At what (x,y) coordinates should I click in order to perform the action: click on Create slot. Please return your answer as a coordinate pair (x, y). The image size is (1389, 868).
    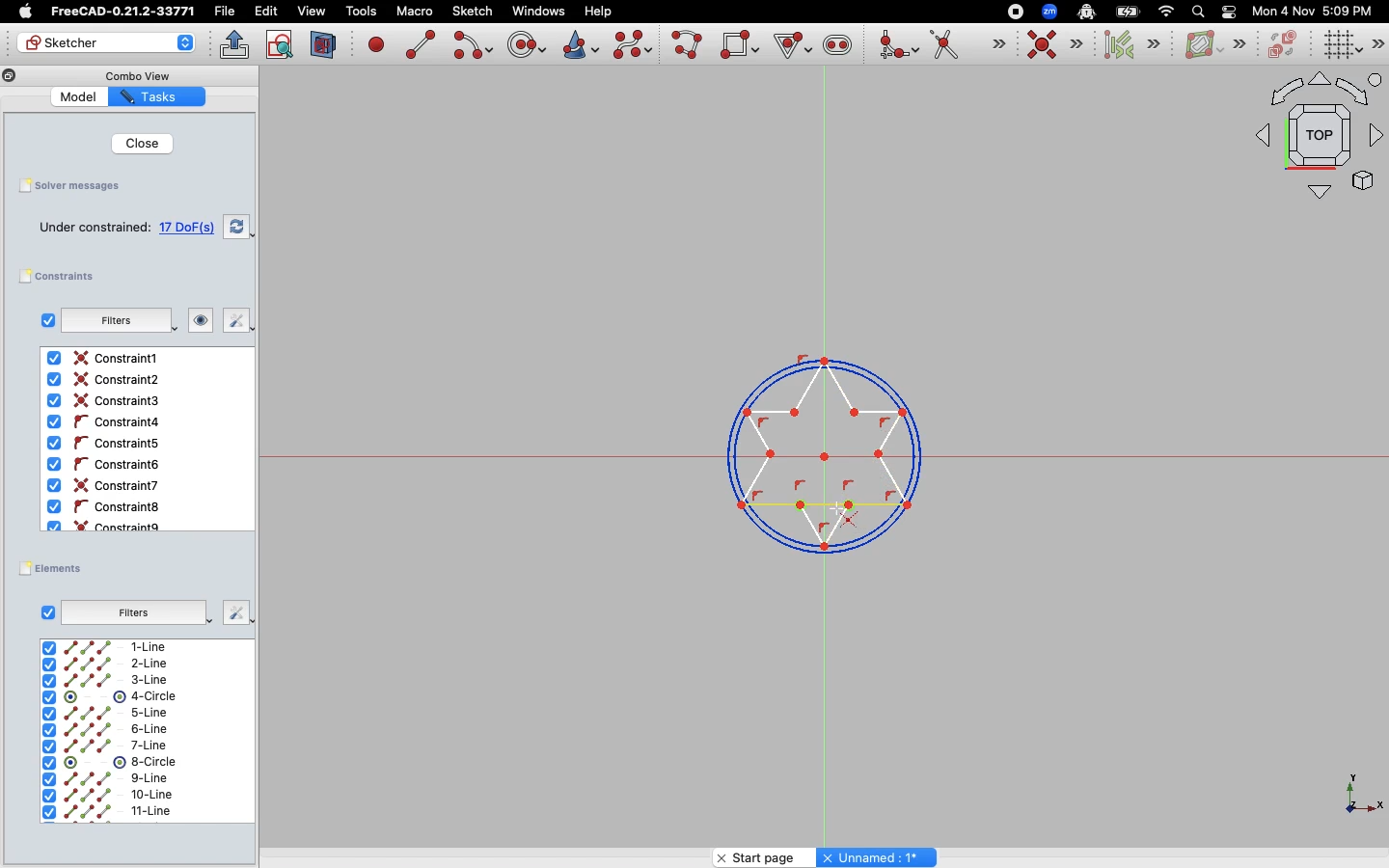
    Looking at the image, I should click on (836, 47).